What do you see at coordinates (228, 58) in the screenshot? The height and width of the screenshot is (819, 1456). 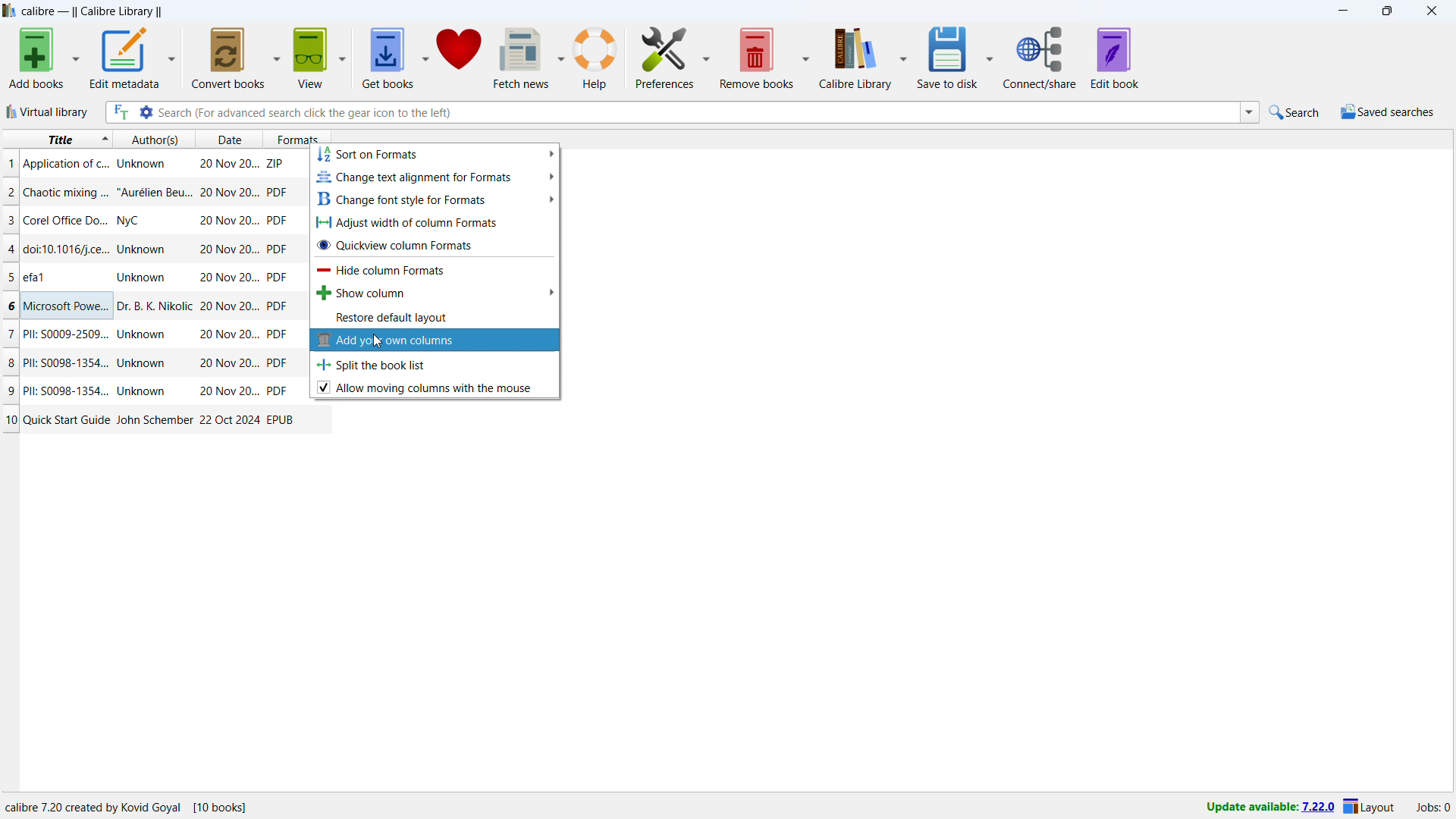 I see `convert books` at bounding box center [228, 58].